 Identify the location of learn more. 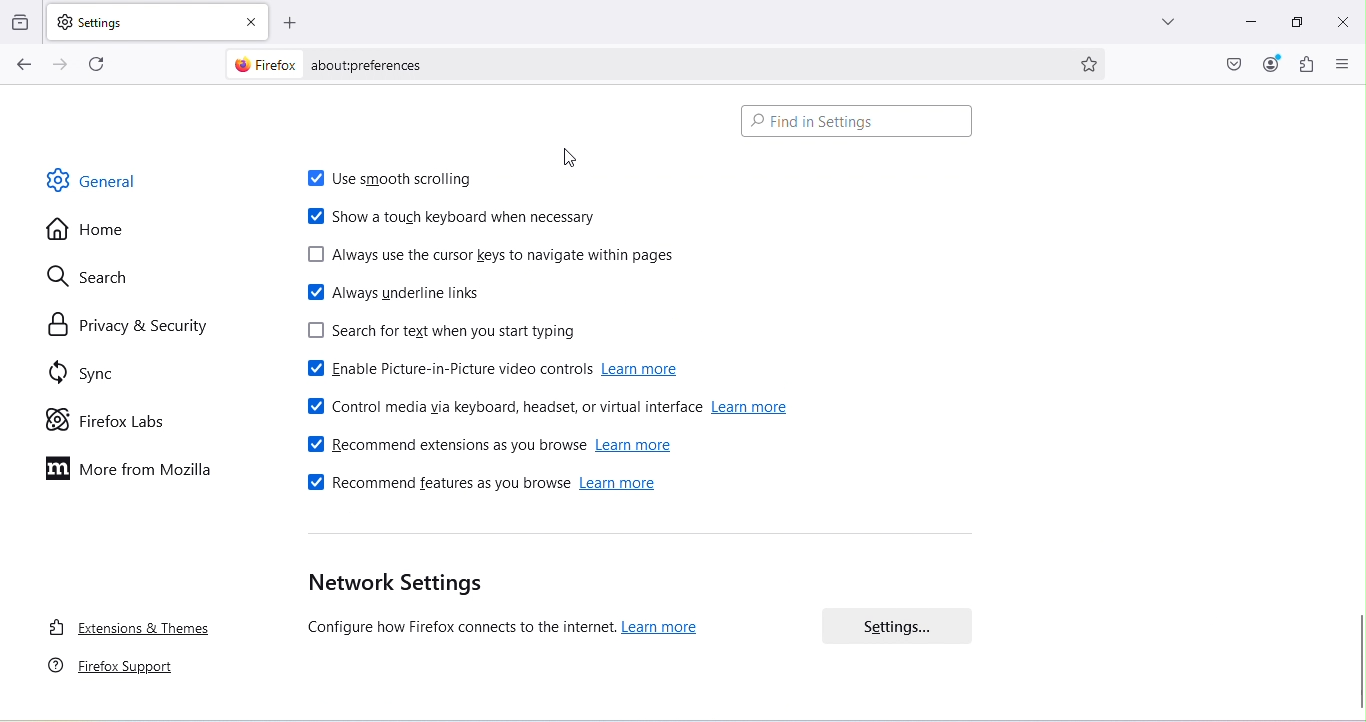
(623, 485).